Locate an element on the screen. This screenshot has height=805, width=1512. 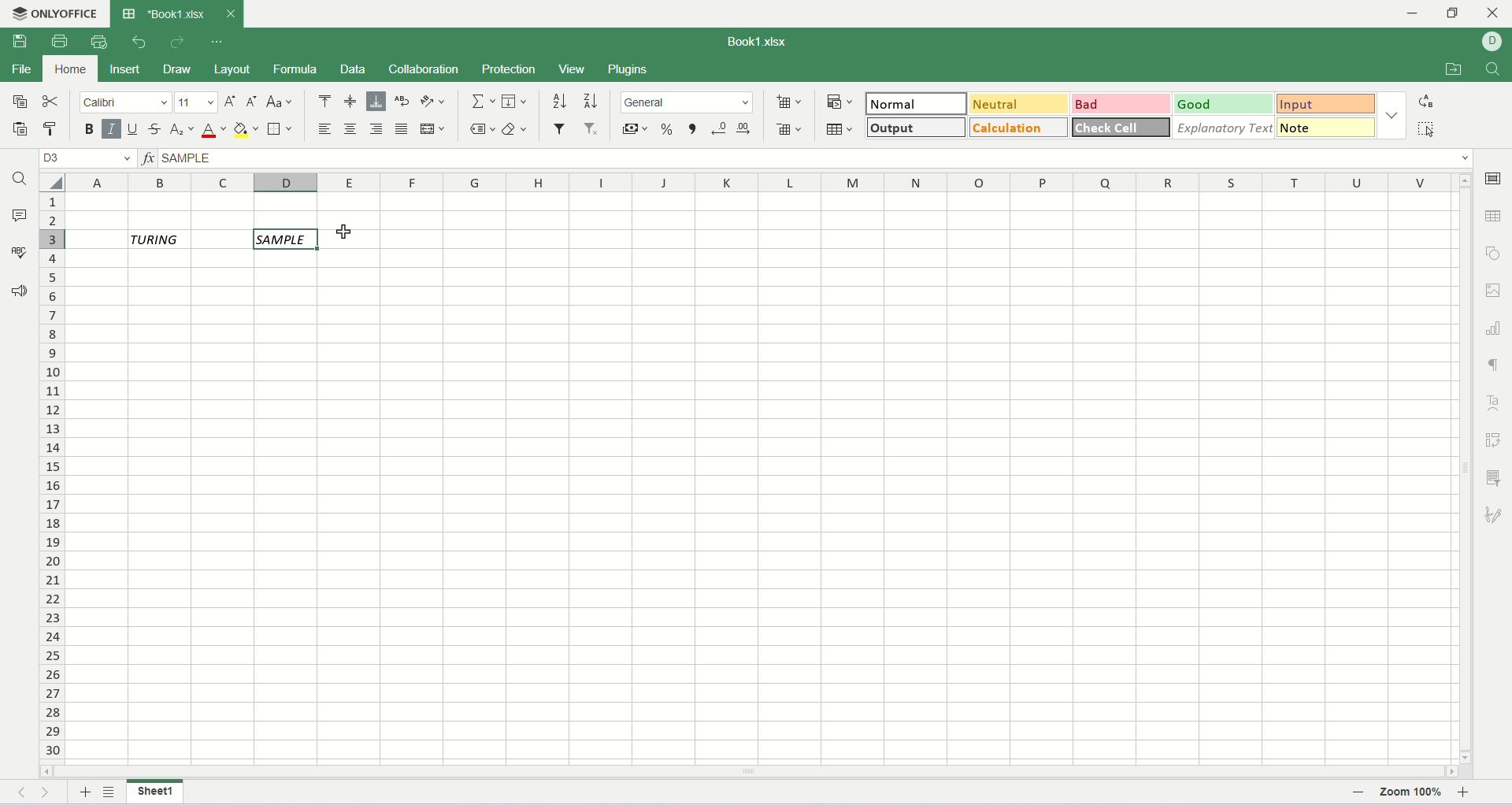
paste is located at coordinates (16, 129).